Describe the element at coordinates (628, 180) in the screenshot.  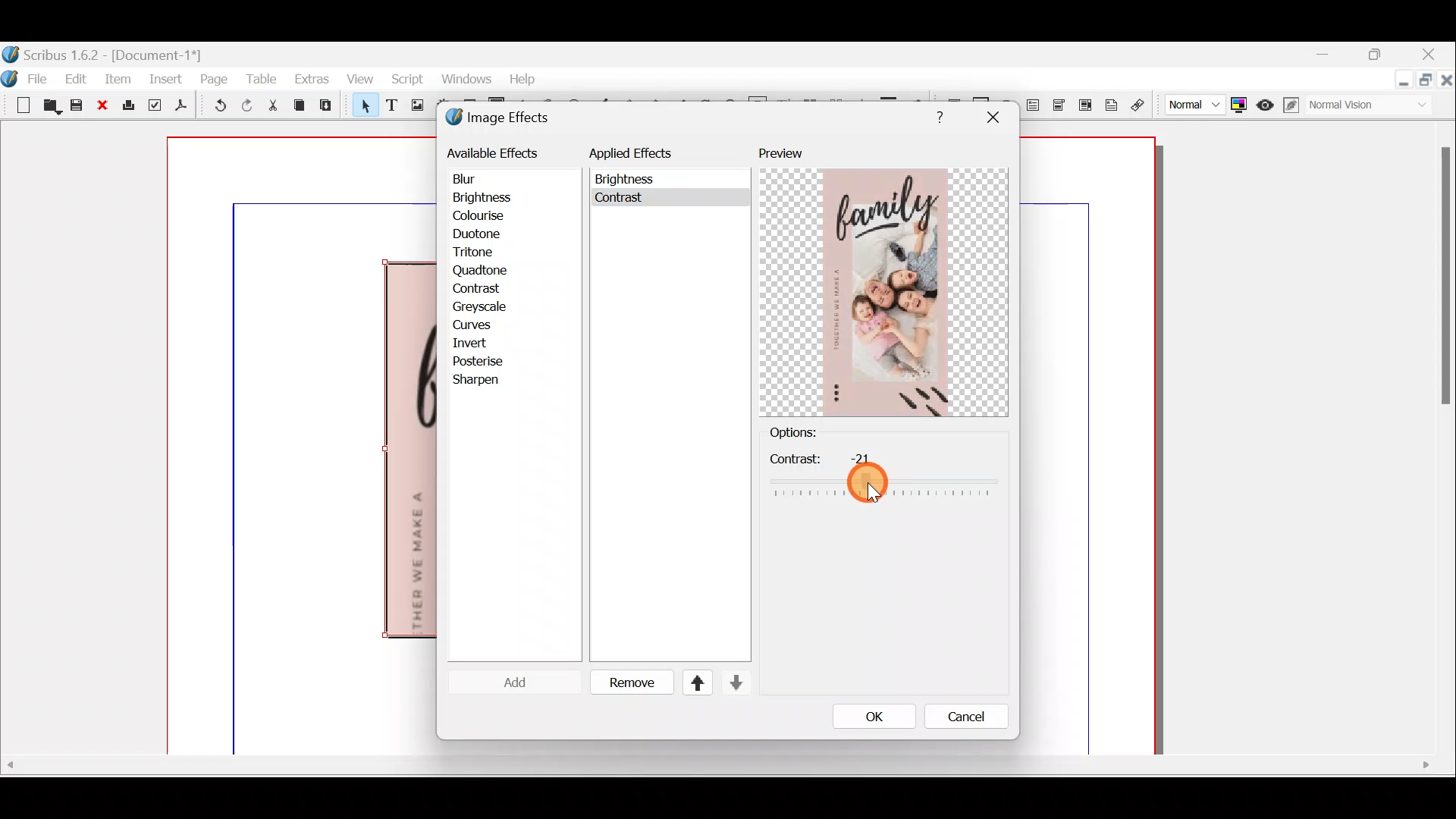
I see `` at that location.